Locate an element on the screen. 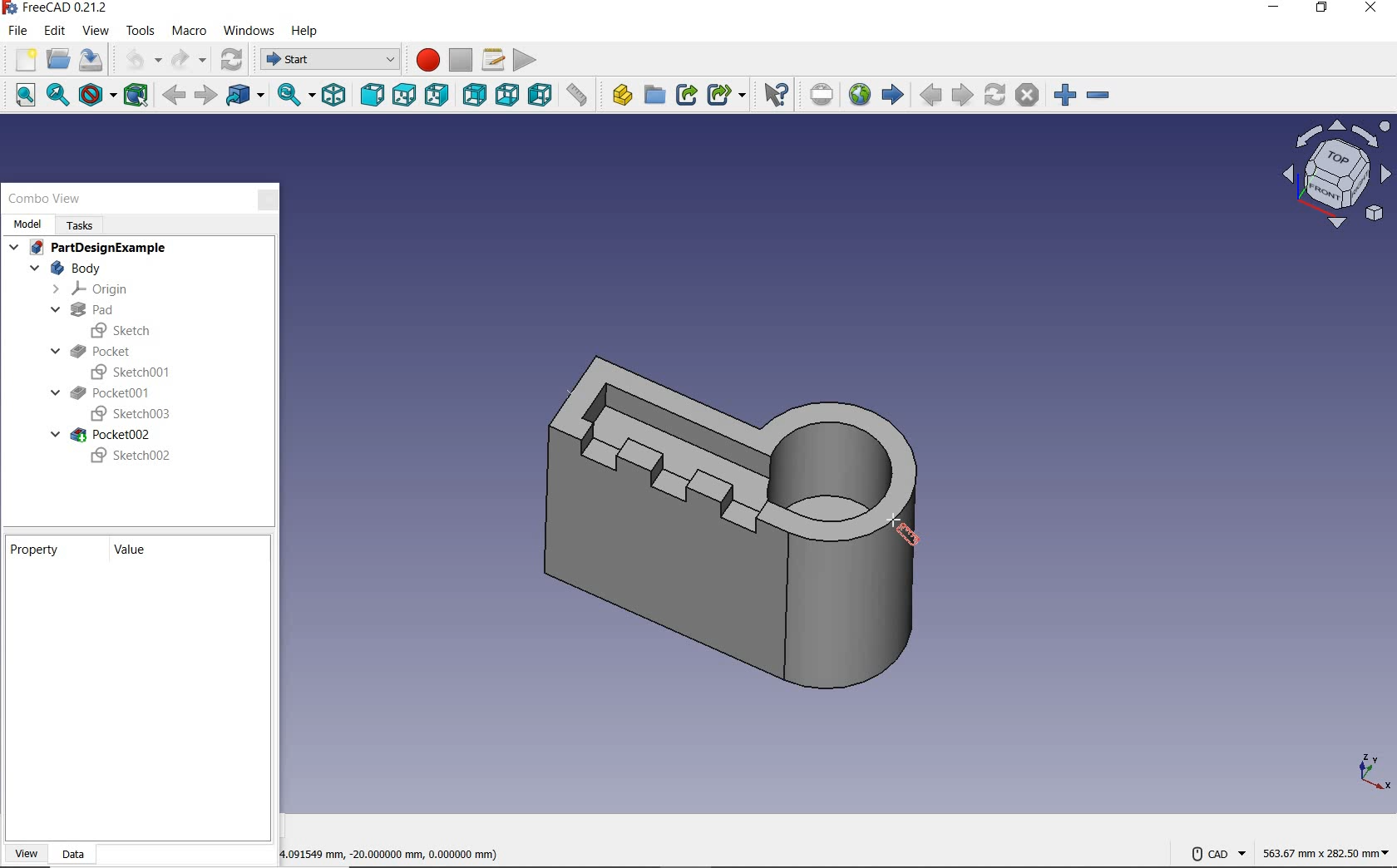  restore down is located at coordinates (1323, 11).